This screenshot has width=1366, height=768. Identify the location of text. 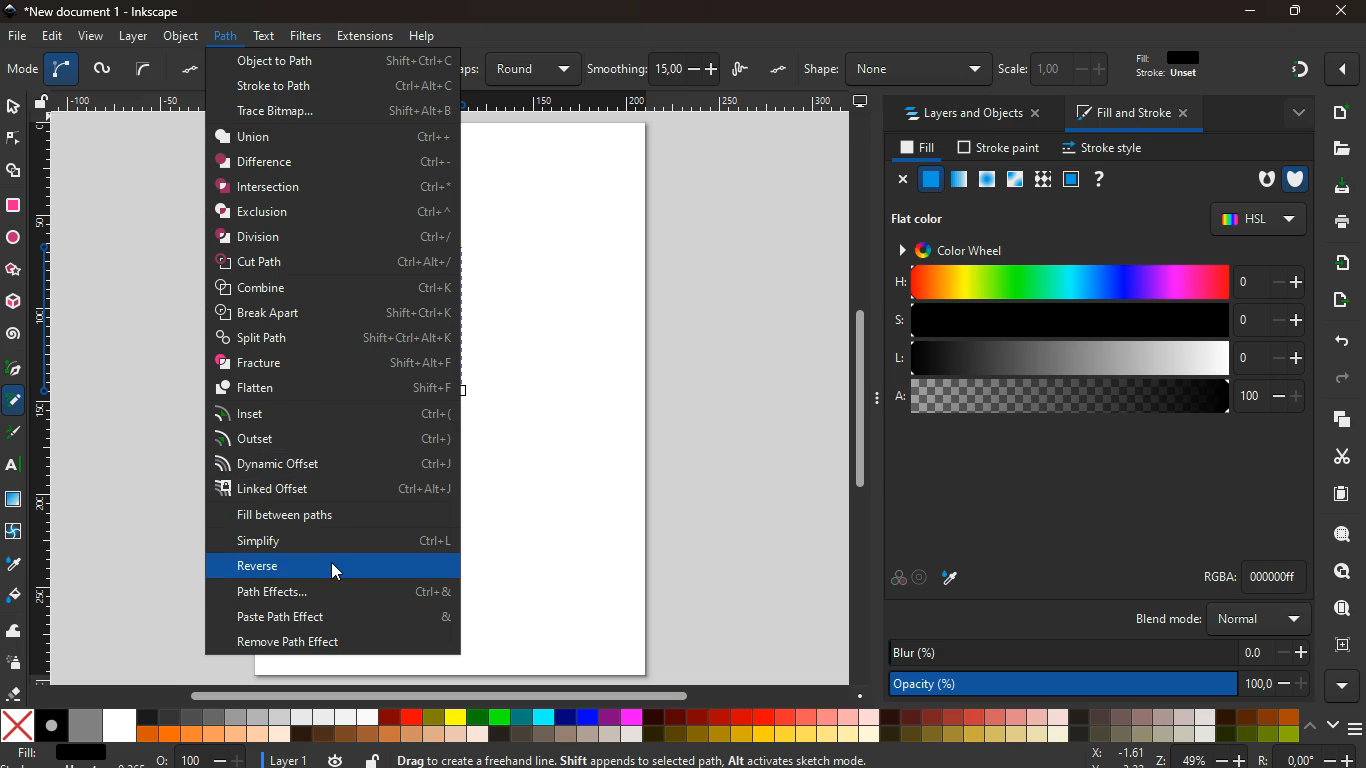
(14, 468).